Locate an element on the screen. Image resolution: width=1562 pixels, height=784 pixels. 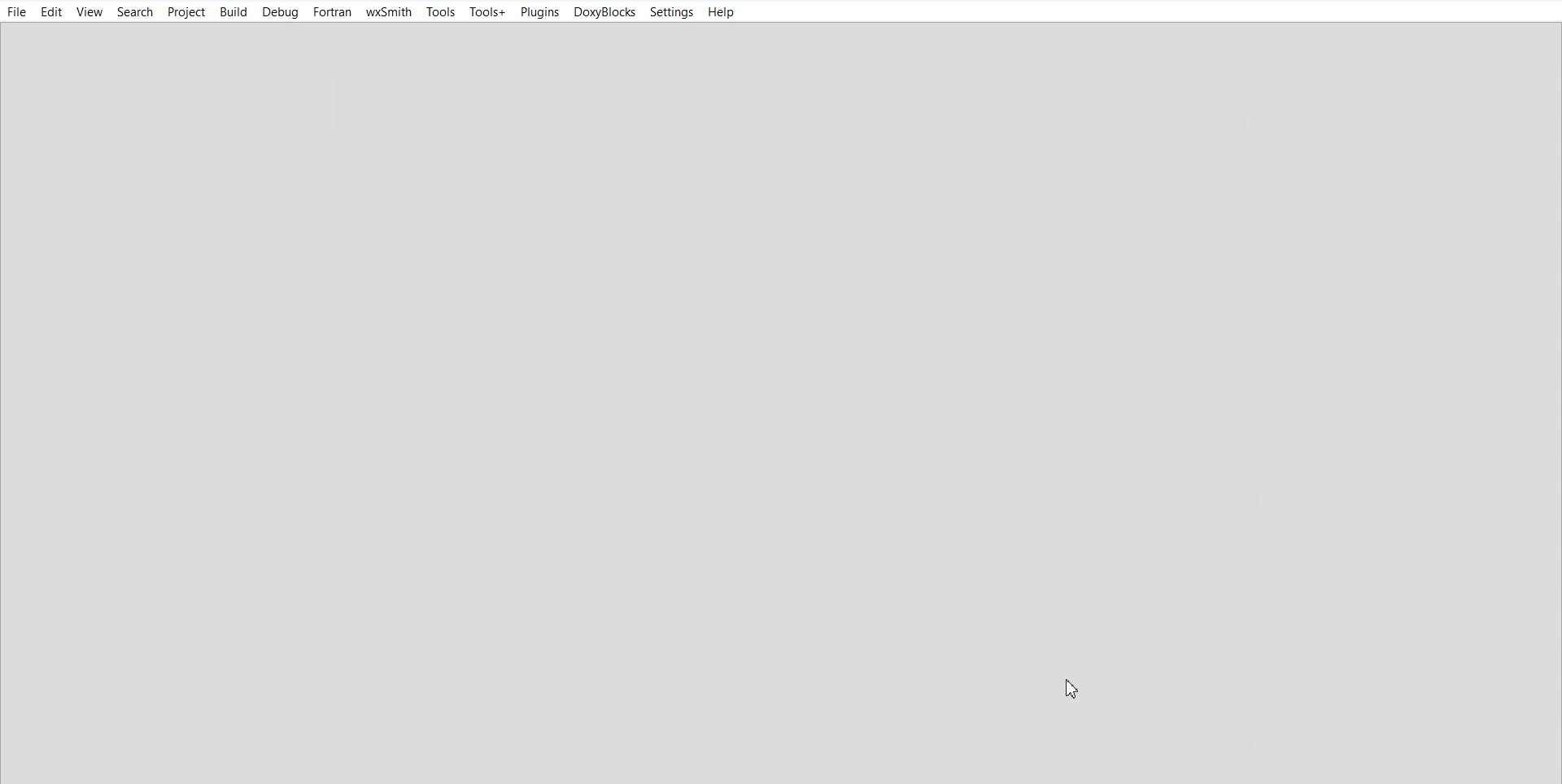
Tools+ is located at coordinates (487, 12).